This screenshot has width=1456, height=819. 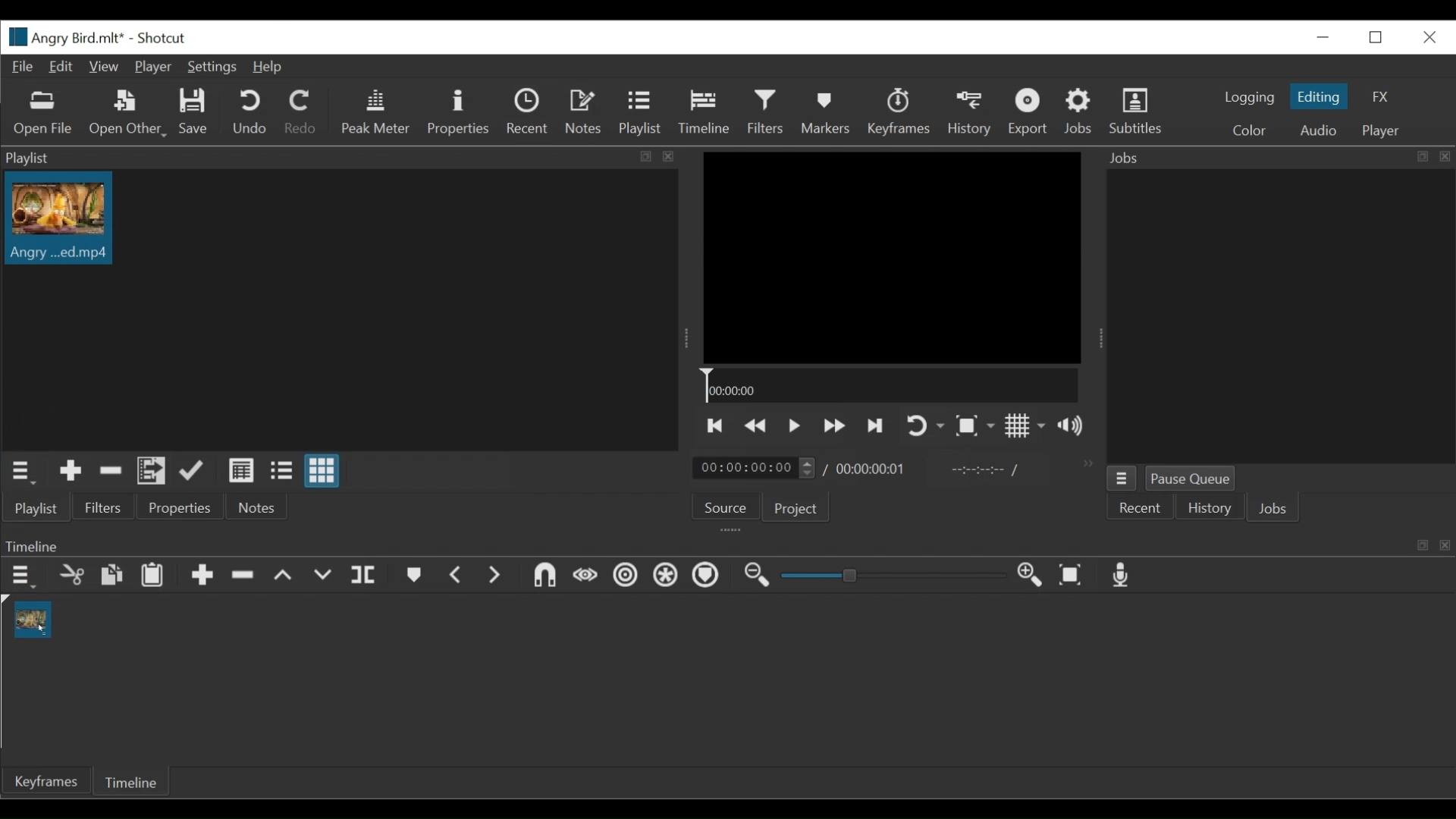 What do you see at coordinates (103, 67) in the screenshot?
I see `View` at bounding box center [103, 67].